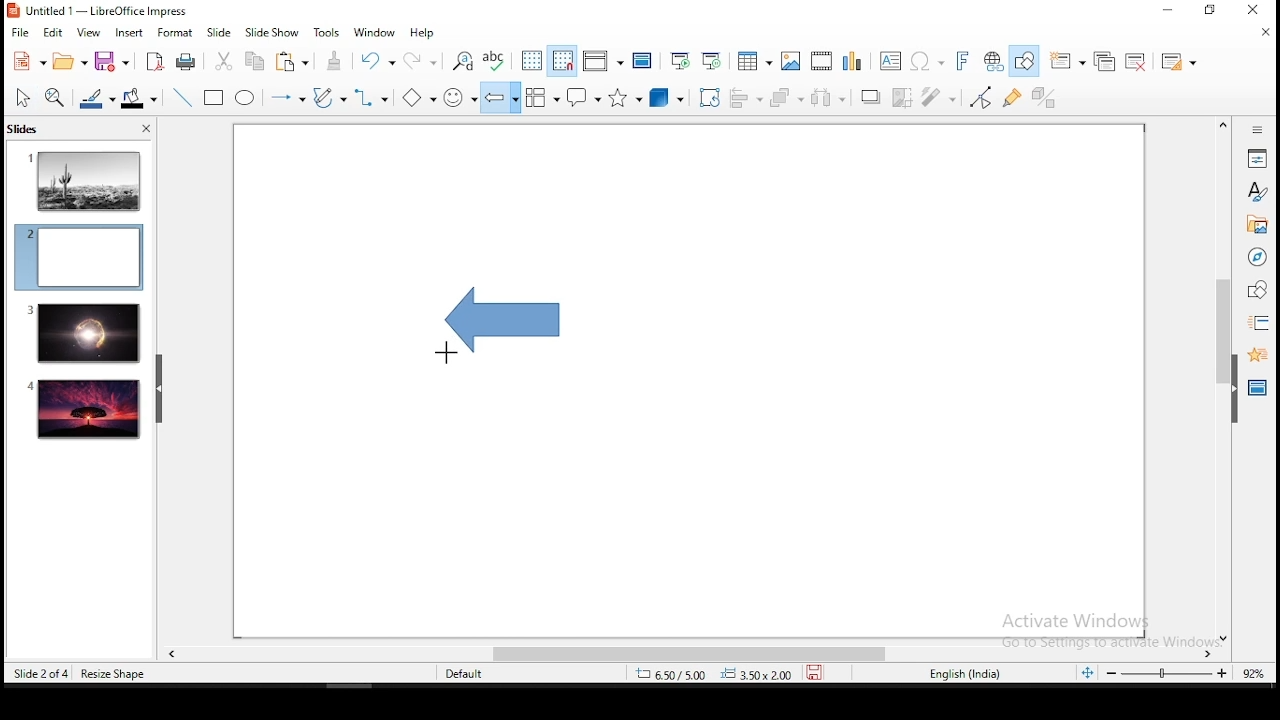 This screenshot has height=720, width=1280. What do you see at coordinates (1256, 259) in the screenshot?
I see `navigator` at bounding box center [1256, 259].